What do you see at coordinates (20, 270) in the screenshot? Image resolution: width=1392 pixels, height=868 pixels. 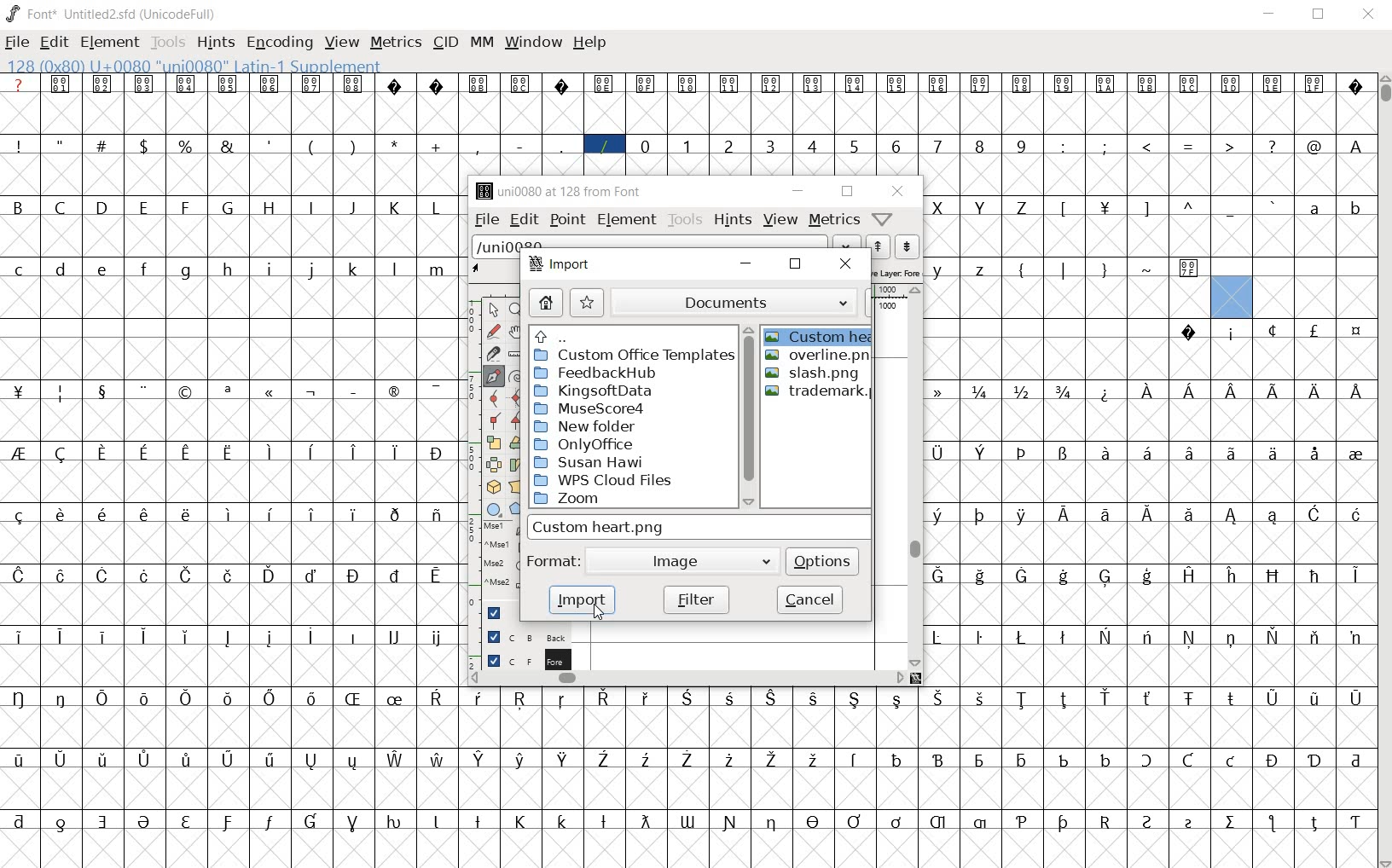 I see `glyph` at bounding box center [20, 270].